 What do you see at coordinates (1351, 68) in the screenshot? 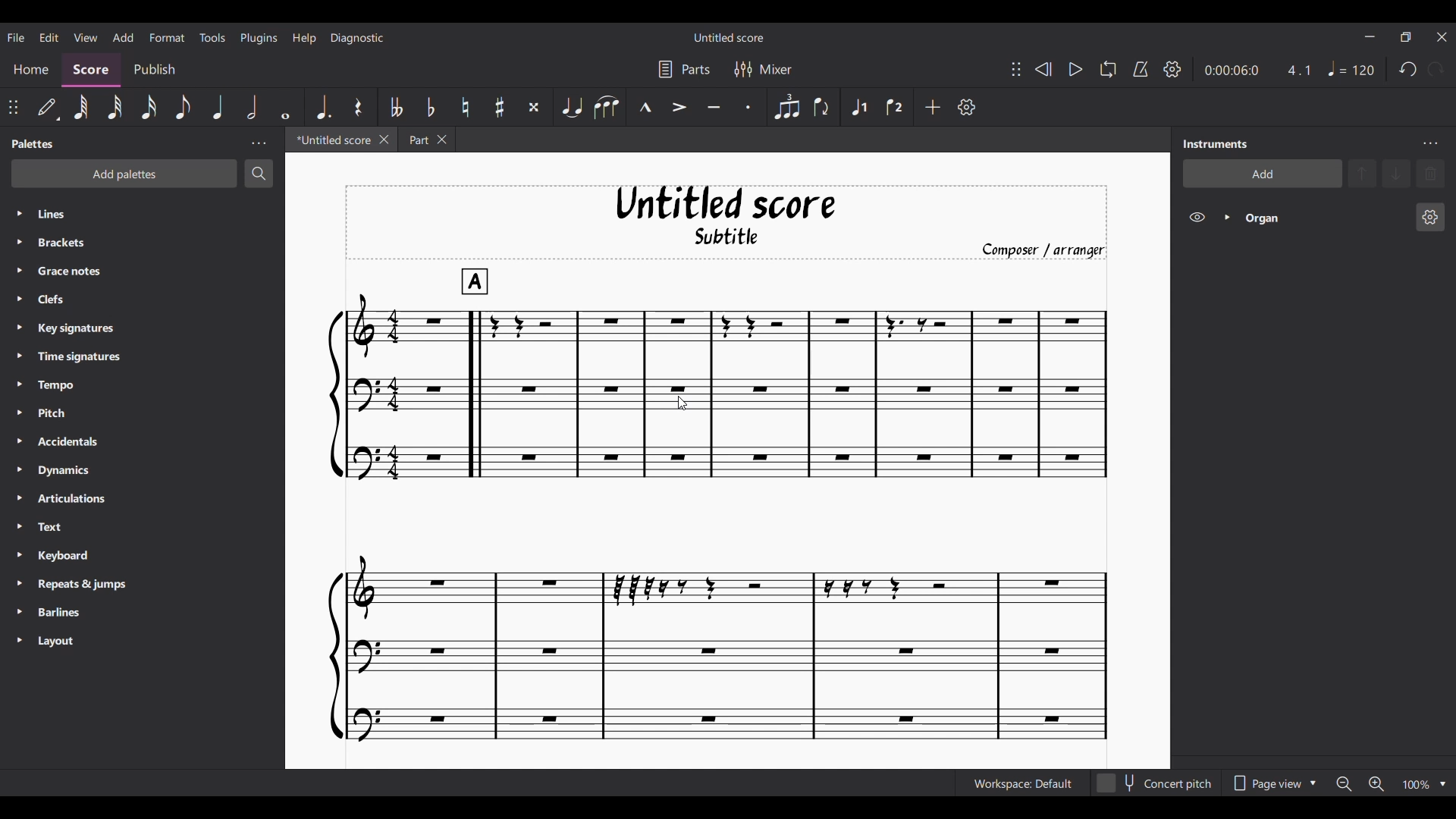
I see `Quarter note` at bounding box center [1351, 68].